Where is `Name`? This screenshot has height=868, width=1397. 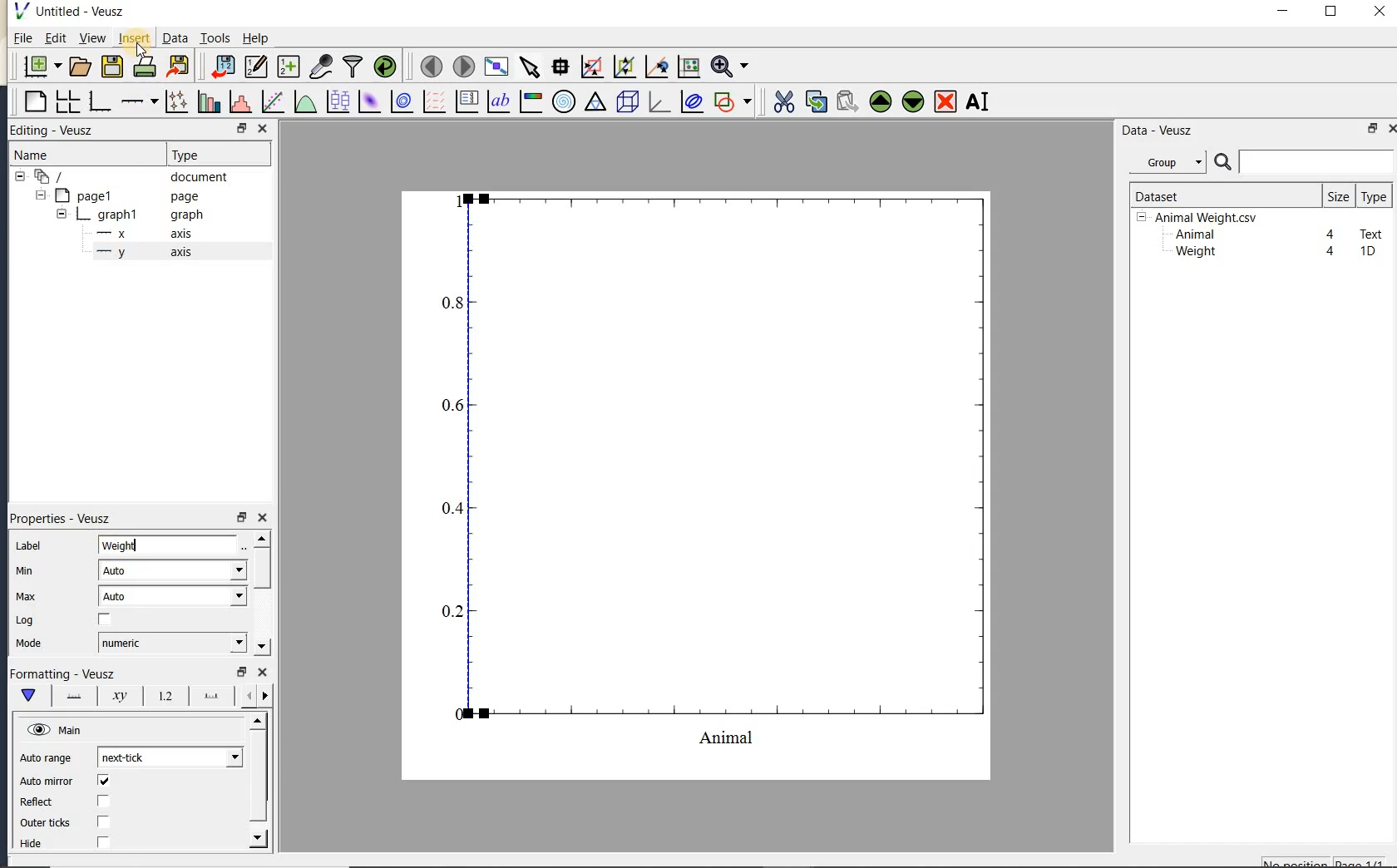
Name is located at coordinates (49, 155).